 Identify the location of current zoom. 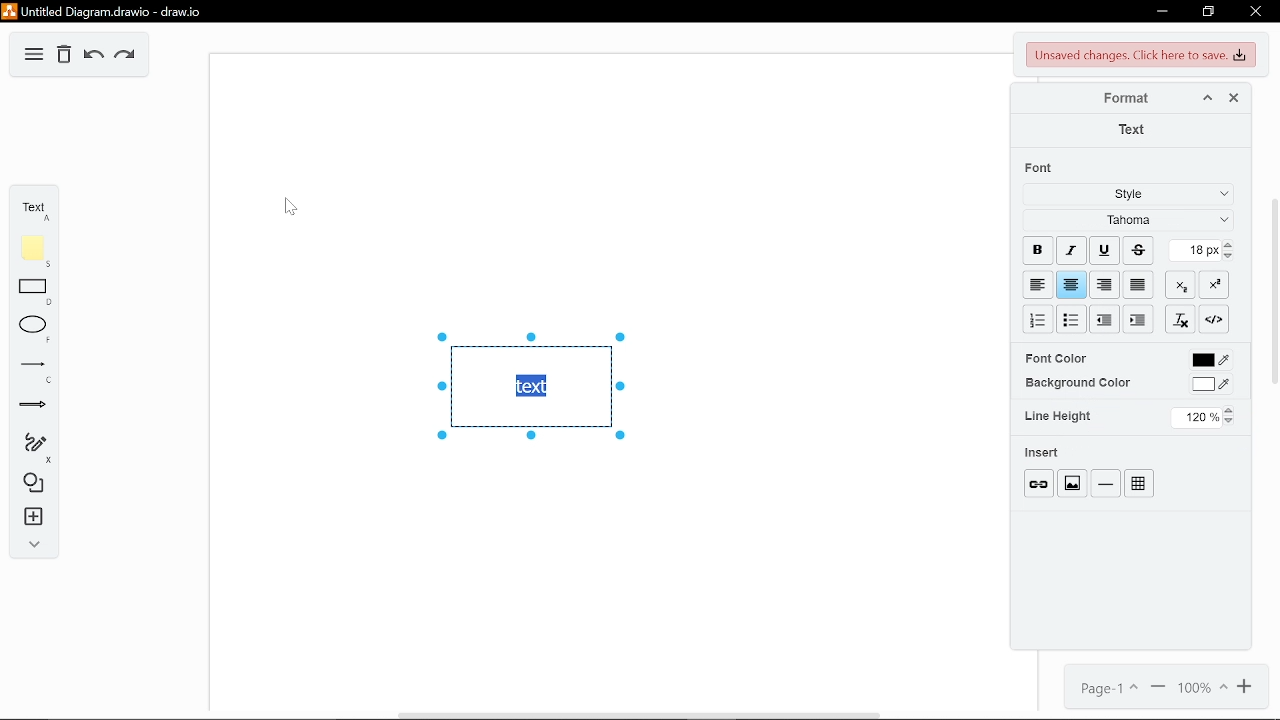
(1202, 689).